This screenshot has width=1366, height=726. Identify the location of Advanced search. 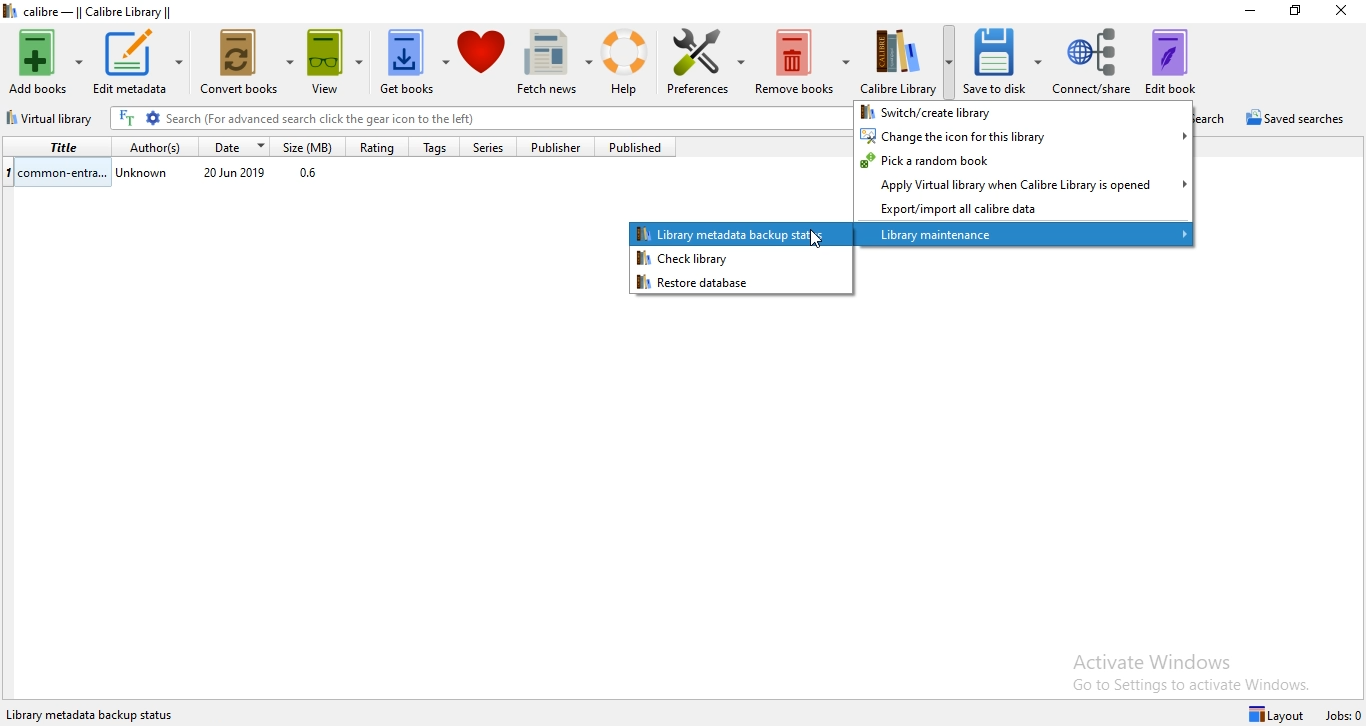
(153, 119).